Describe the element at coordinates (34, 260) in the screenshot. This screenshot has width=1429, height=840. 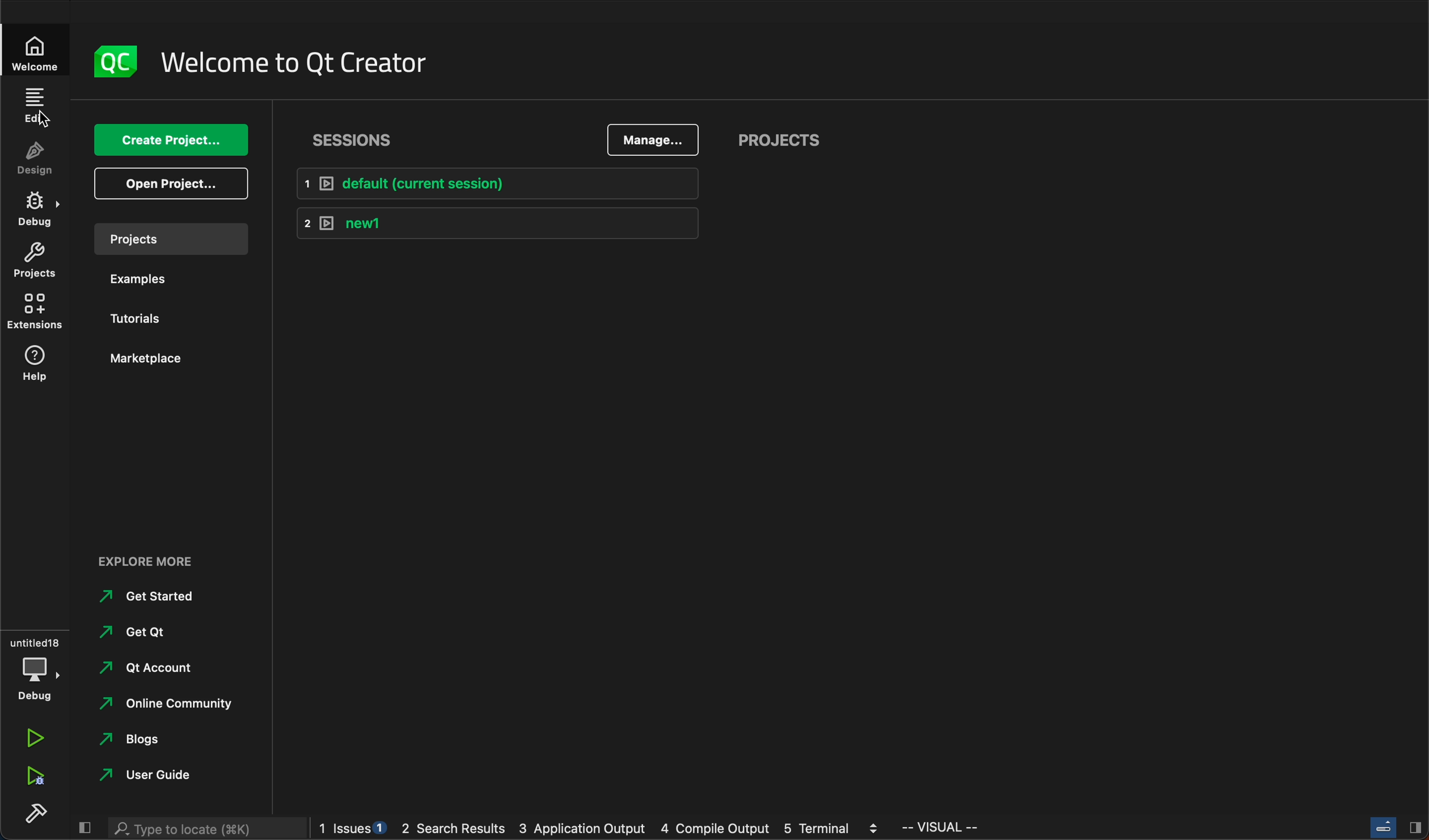
I see `project` at that location.